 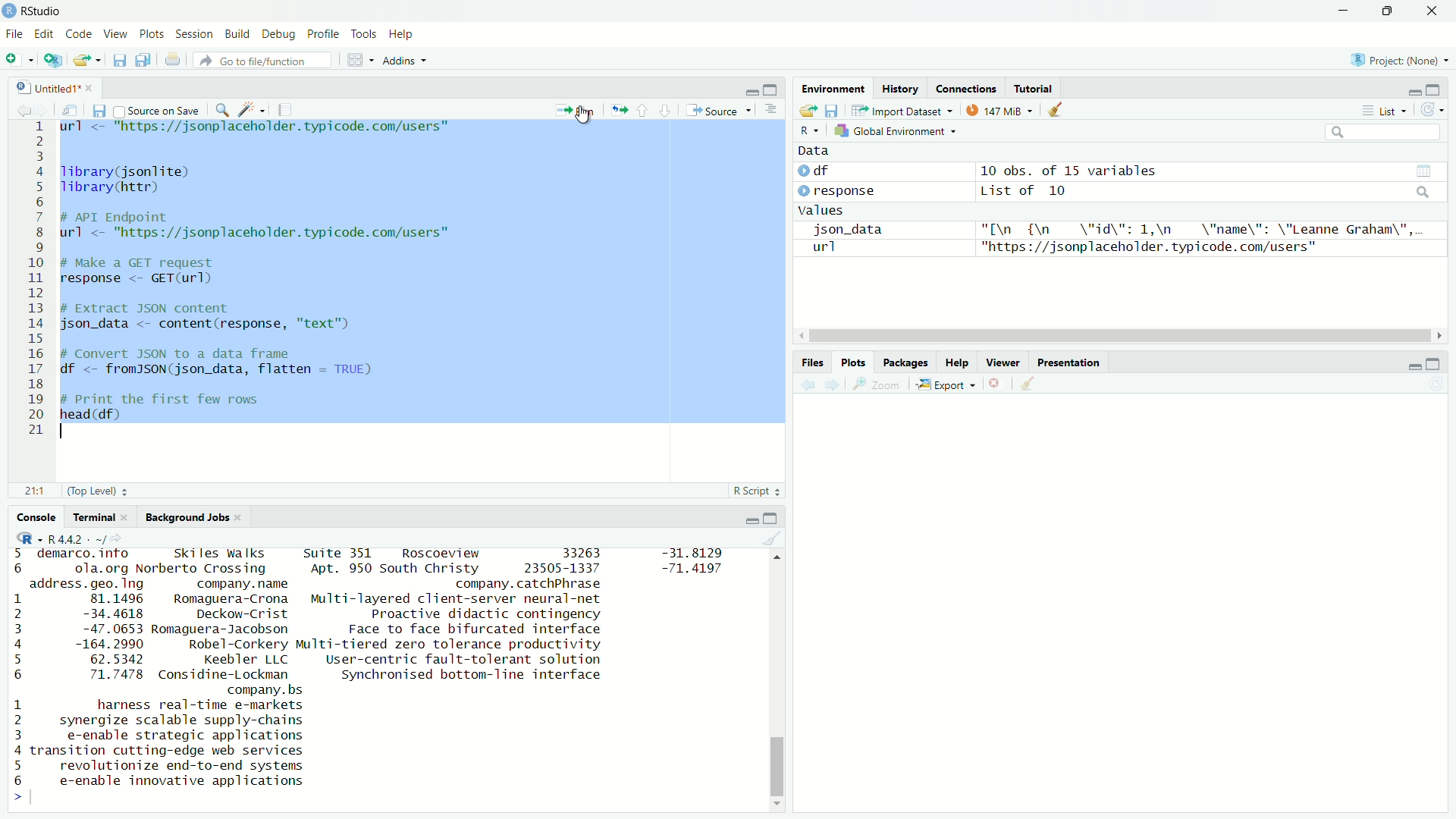 What do you see at coordinates (895, 133) in the screenshot?
I see `Global Environment ` at bounding box center [895, 133].